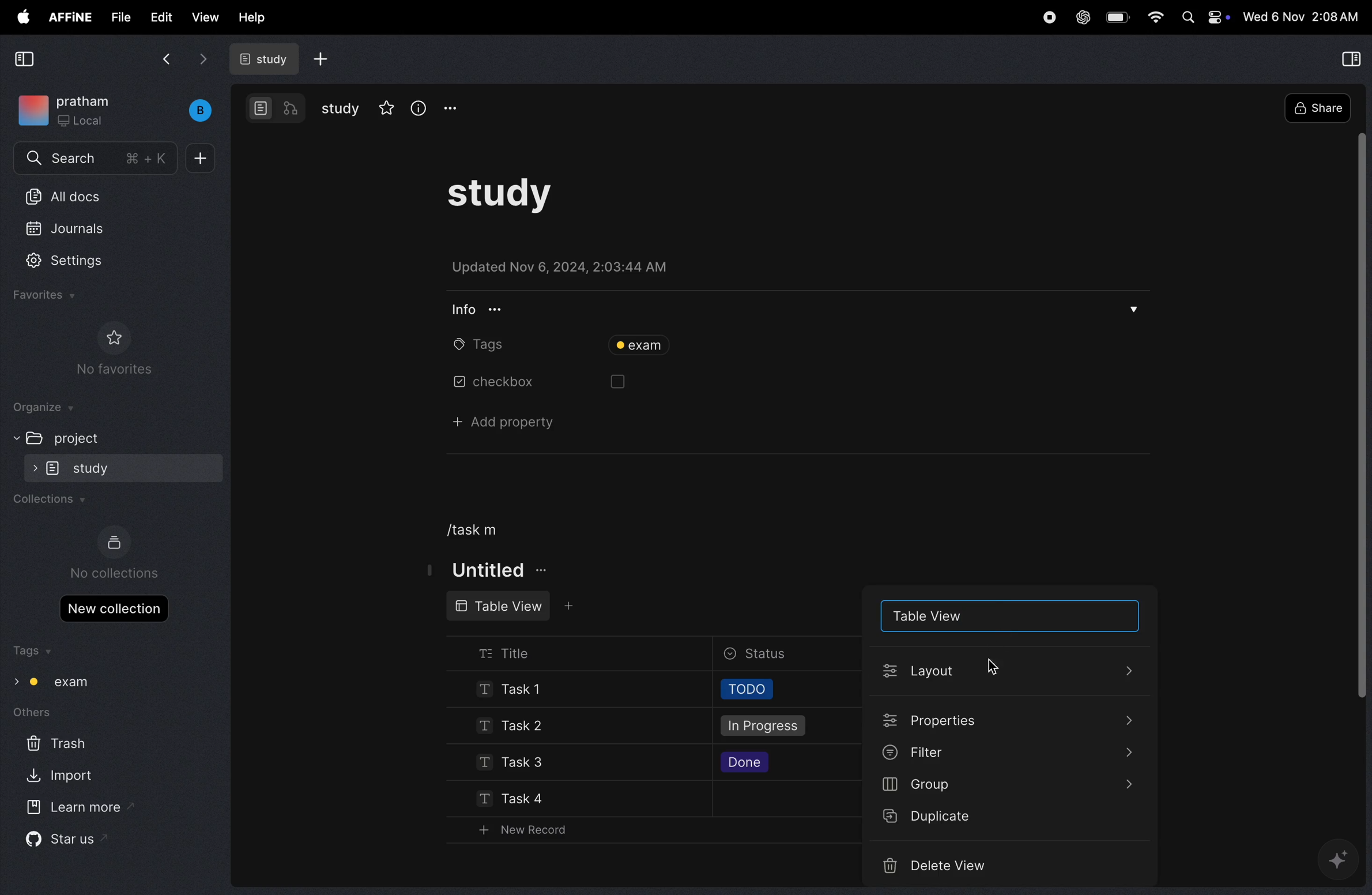 This screenshot has height=895, width=1372. Describe the element at coordinates (457, 108) in the screenshot. I see `options` at that location.